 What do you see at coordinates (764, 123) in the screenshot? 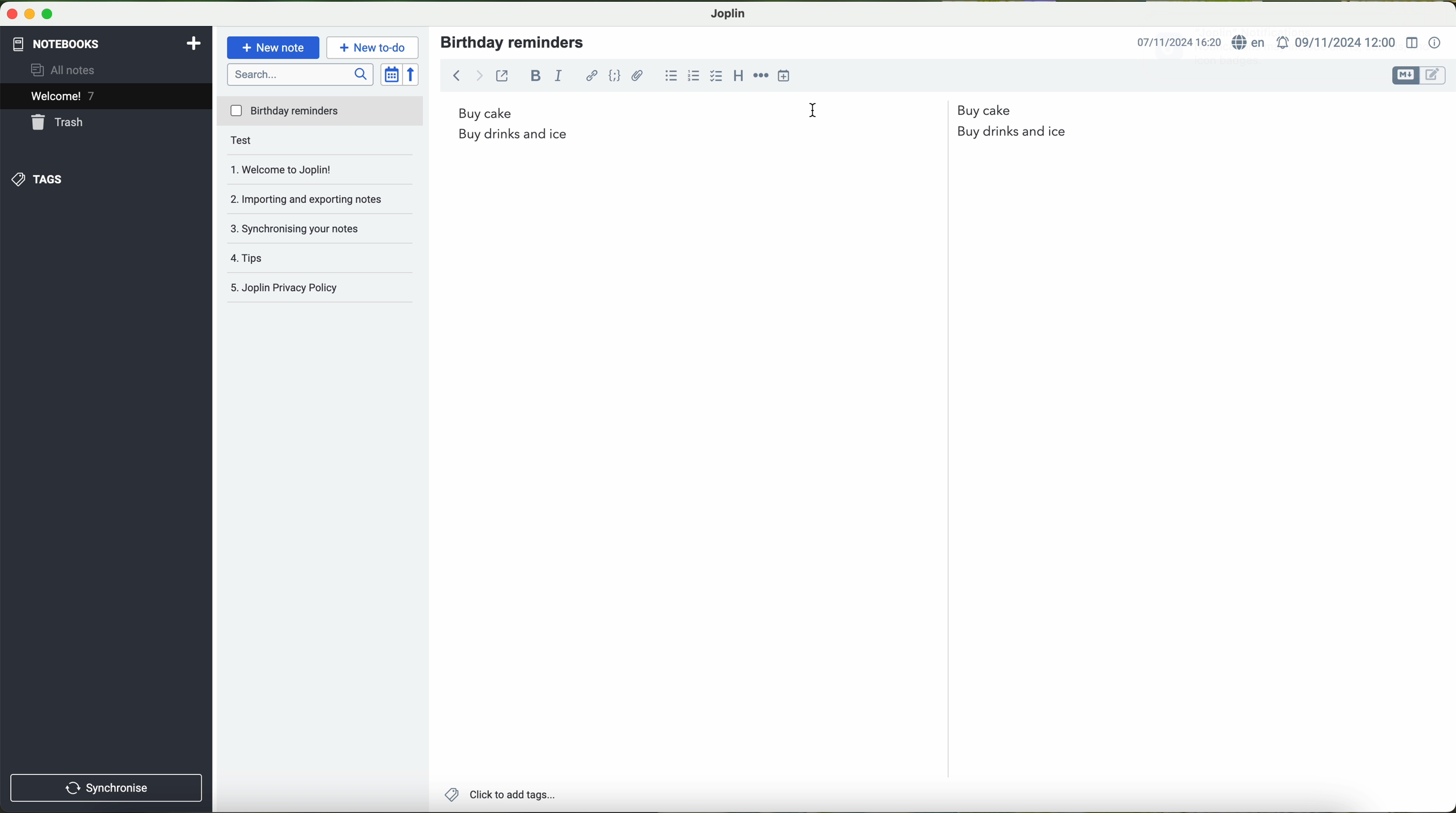
I see `birthday reminders list` at bounding box center [764, 123].